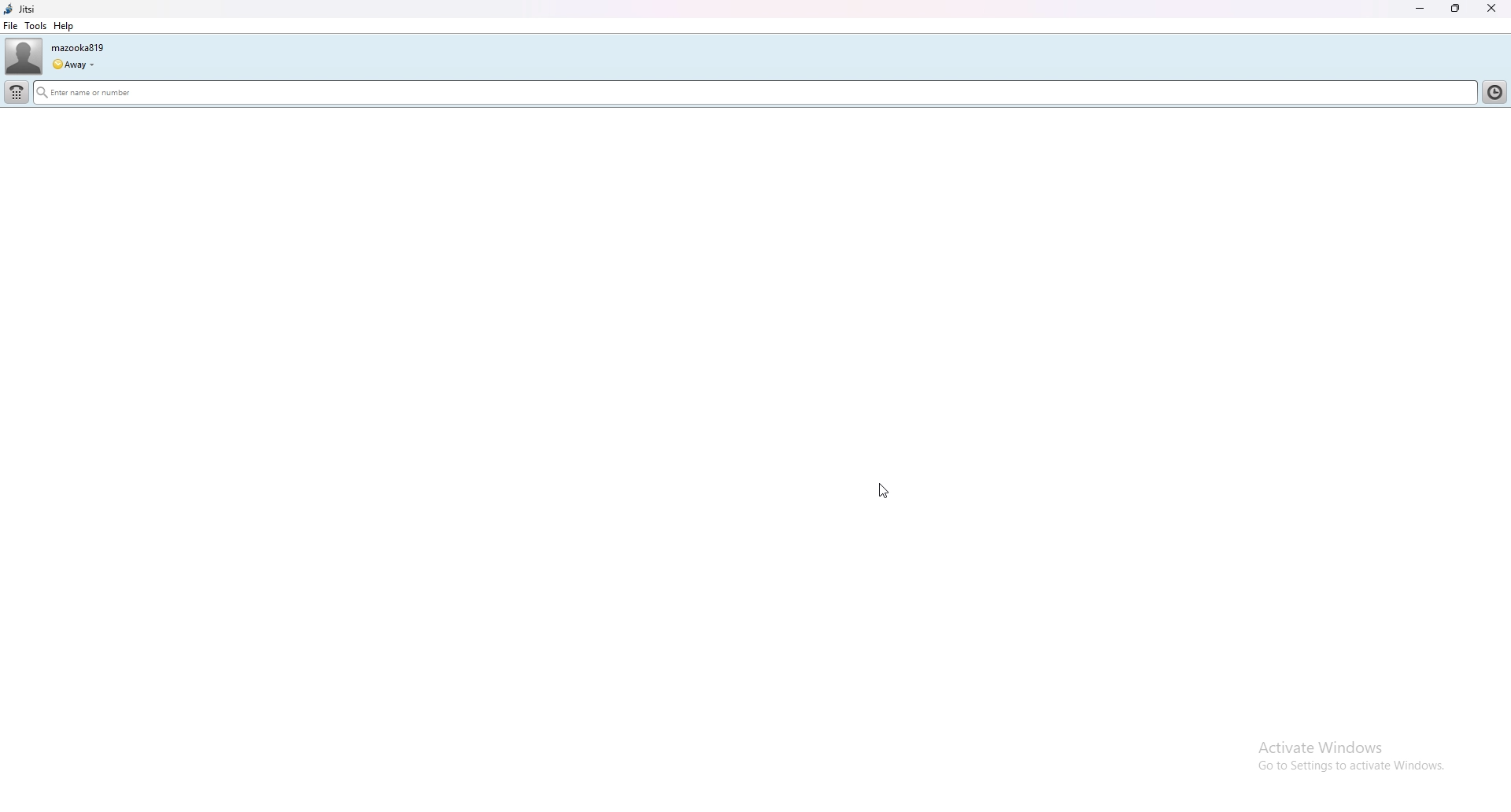  What do you see at coordinates (63, 26) in the screenshot?
I see `help` at bounding box center [63, 26].